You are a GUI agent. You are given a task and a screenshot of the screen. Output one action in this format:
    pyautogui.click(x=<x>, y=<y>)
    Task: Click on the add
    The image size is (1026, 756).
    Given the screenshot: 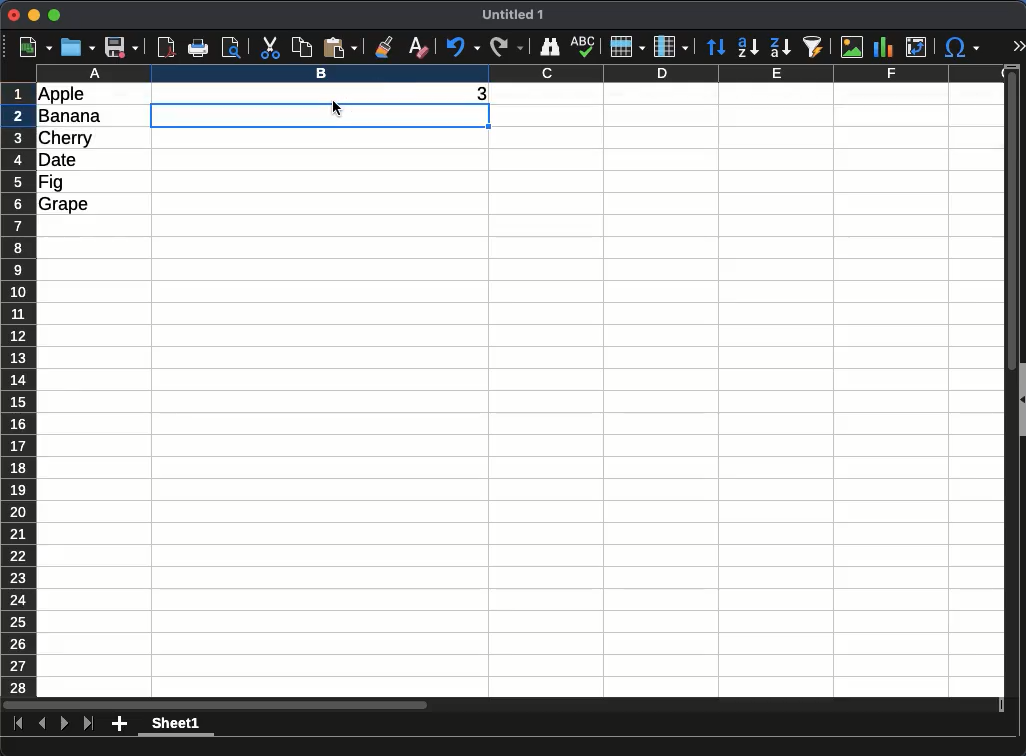 What is the action you would take?
    pyautogui.click(x=119, y=724)
    